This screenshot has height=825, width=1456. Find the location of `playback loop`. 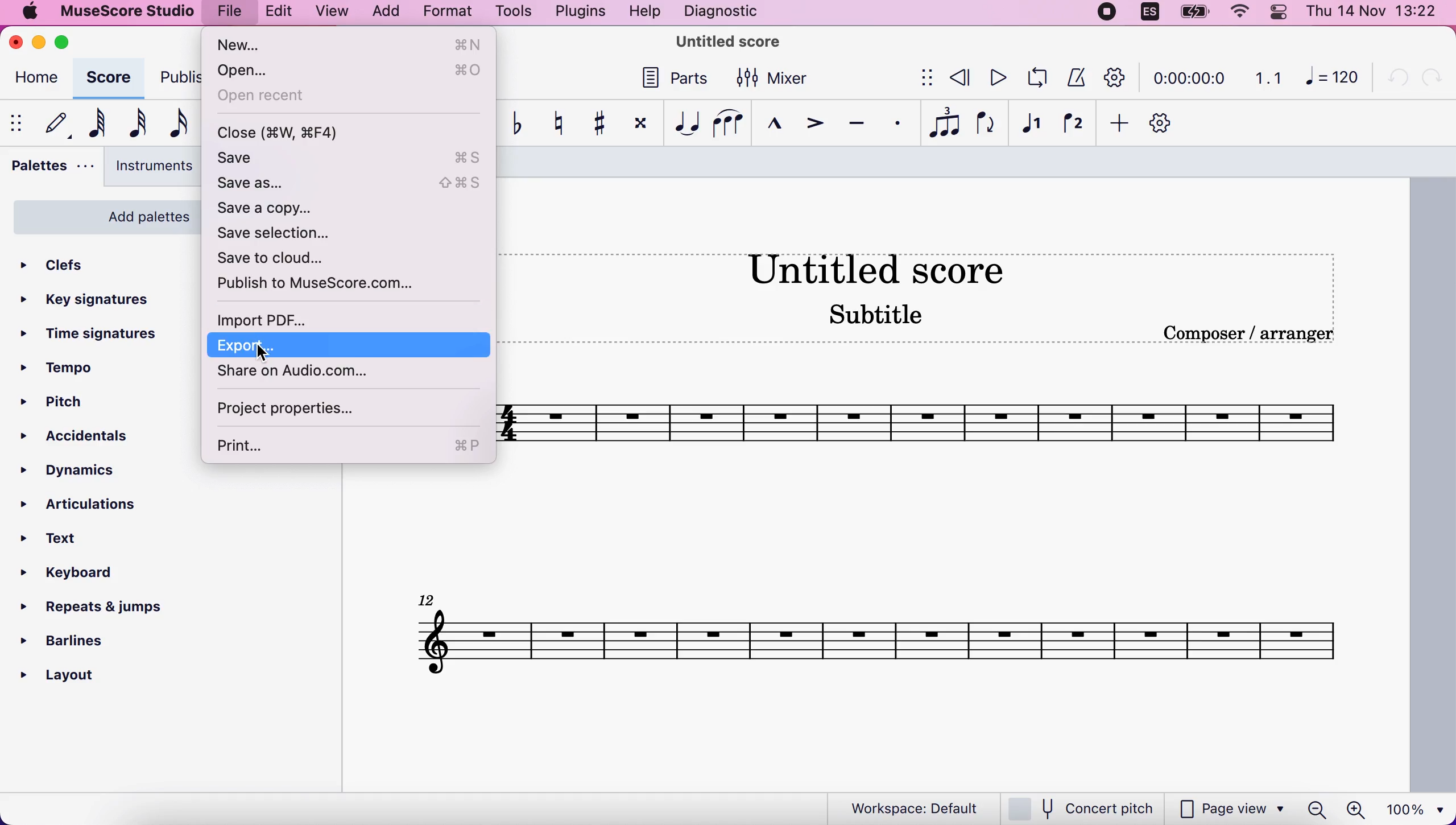

playback loop is located at coordinates (1034, 79).